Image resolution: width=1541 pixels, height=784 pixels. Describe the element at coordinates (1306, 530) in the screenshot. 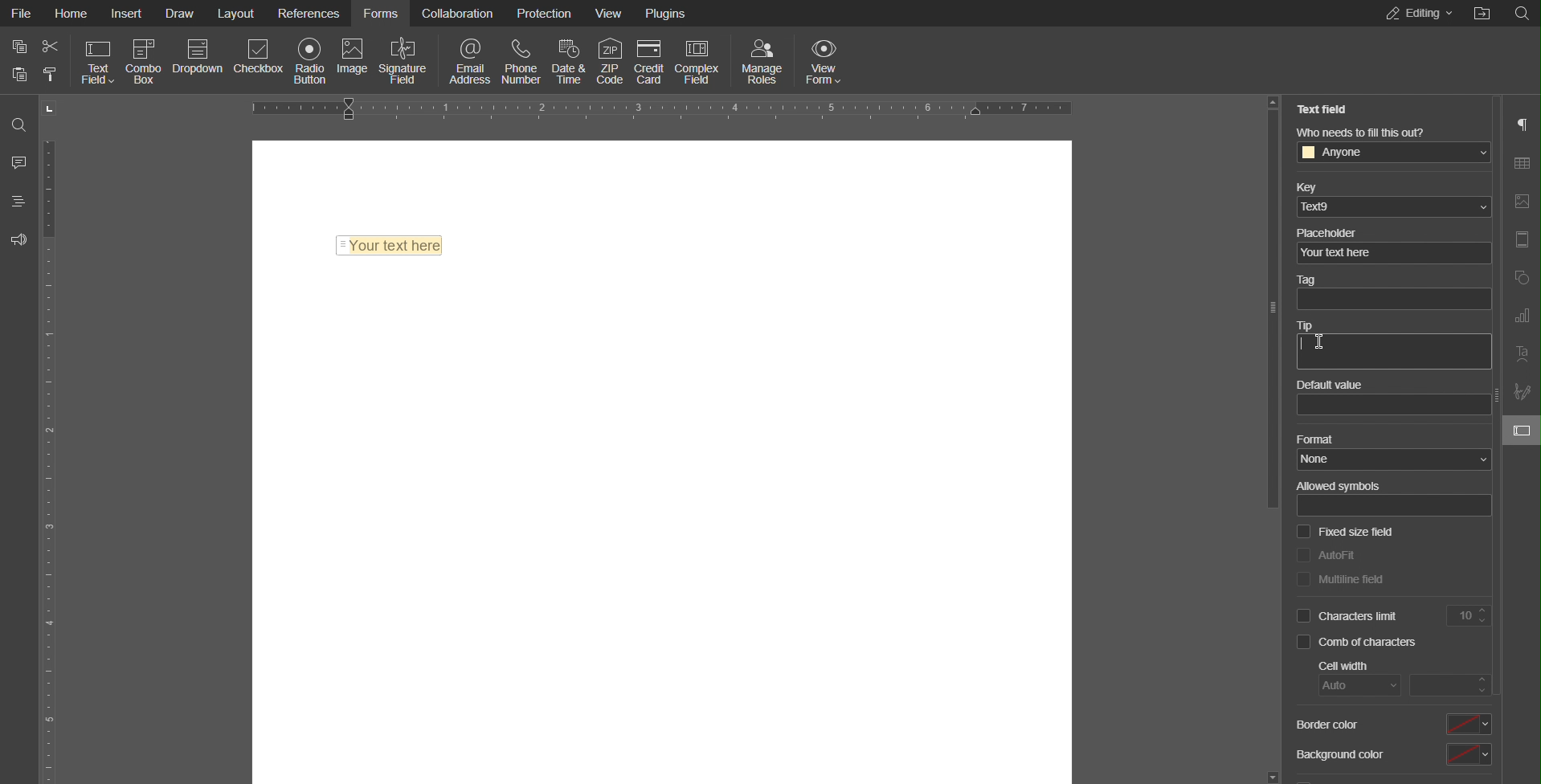

I see `checkbox` at that location.